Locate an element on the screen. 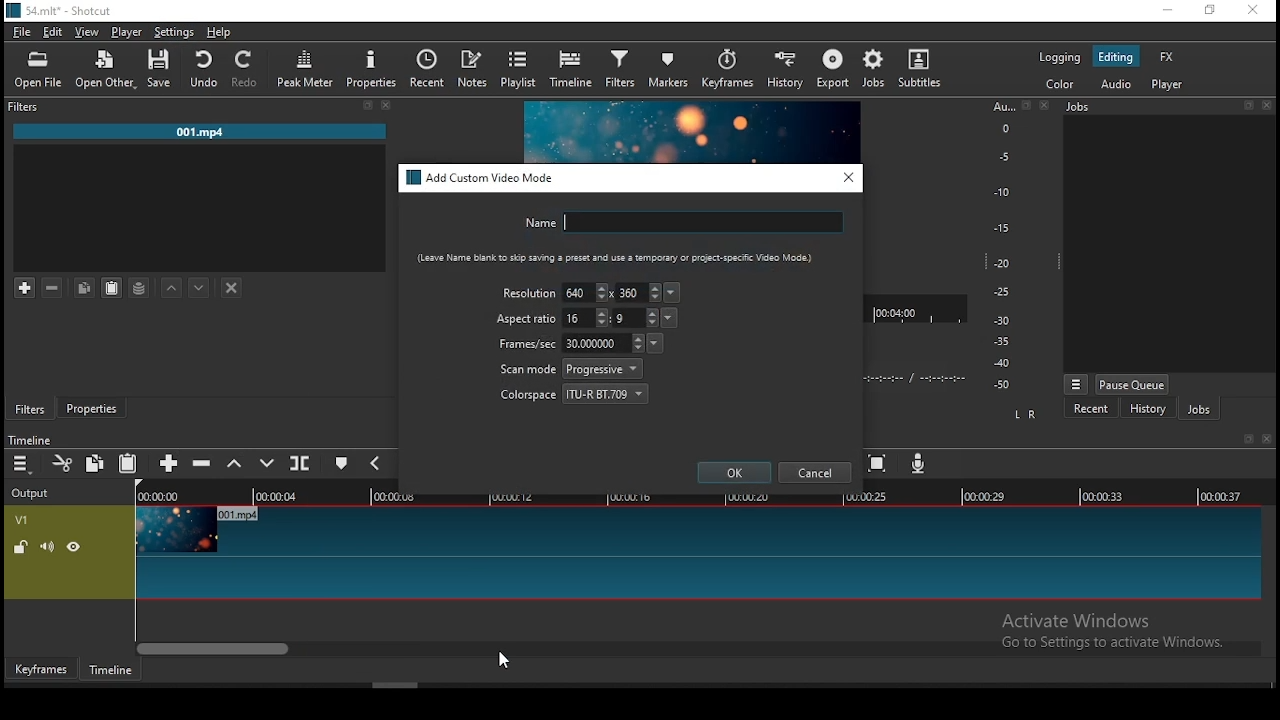 The height and width of the screenshot is (720, 1280). subtitles is located at coordinates (924, 70).